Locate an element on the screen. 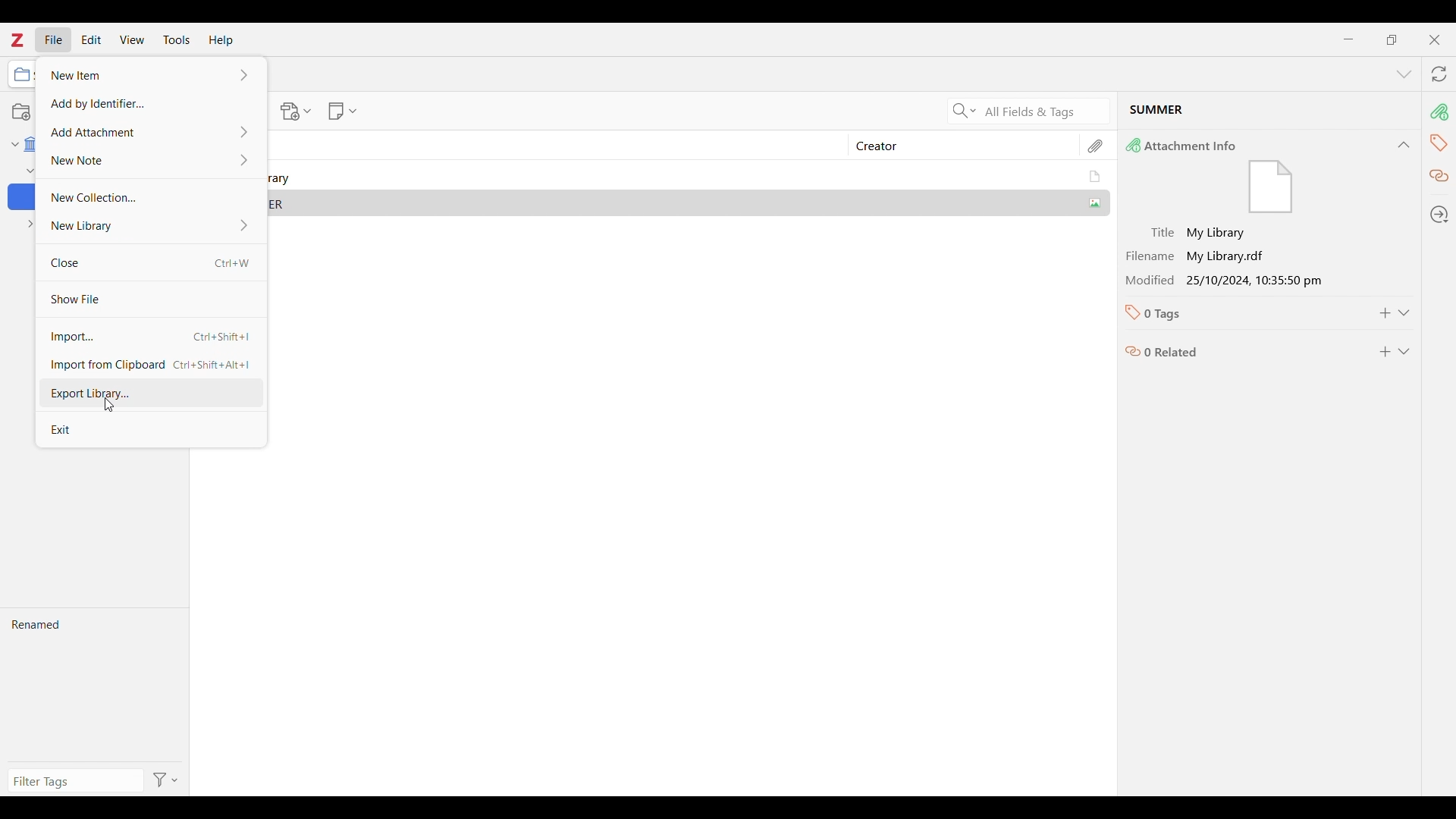  New collection is located at coordinates (150, 198).